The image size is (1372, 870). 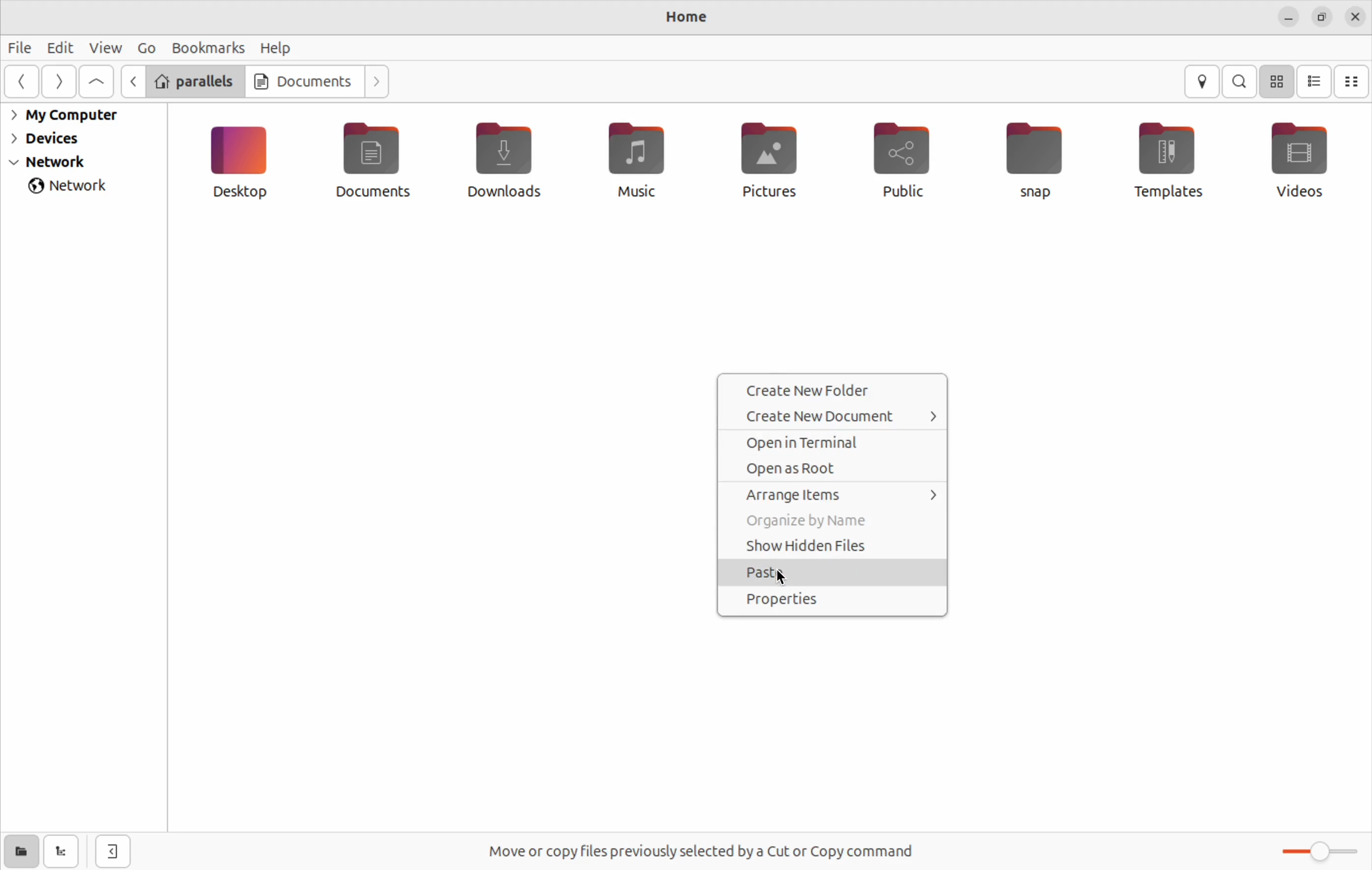 What do you see at coordinates (1323, 851) in the screenshot?
I see `slider` at bounding box center [1323, 851].